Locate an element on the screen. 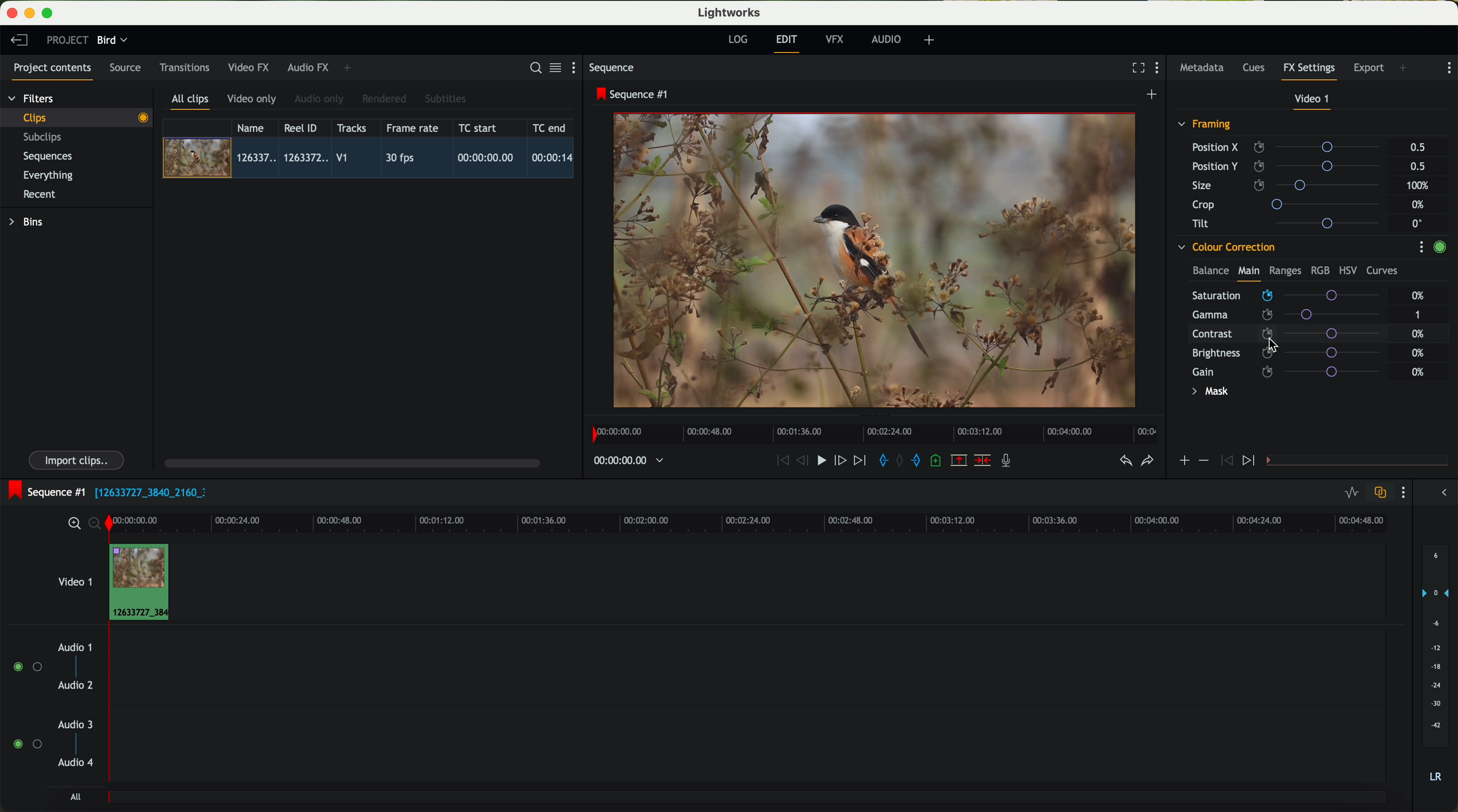  TC end is located at coordinates (550, 127).